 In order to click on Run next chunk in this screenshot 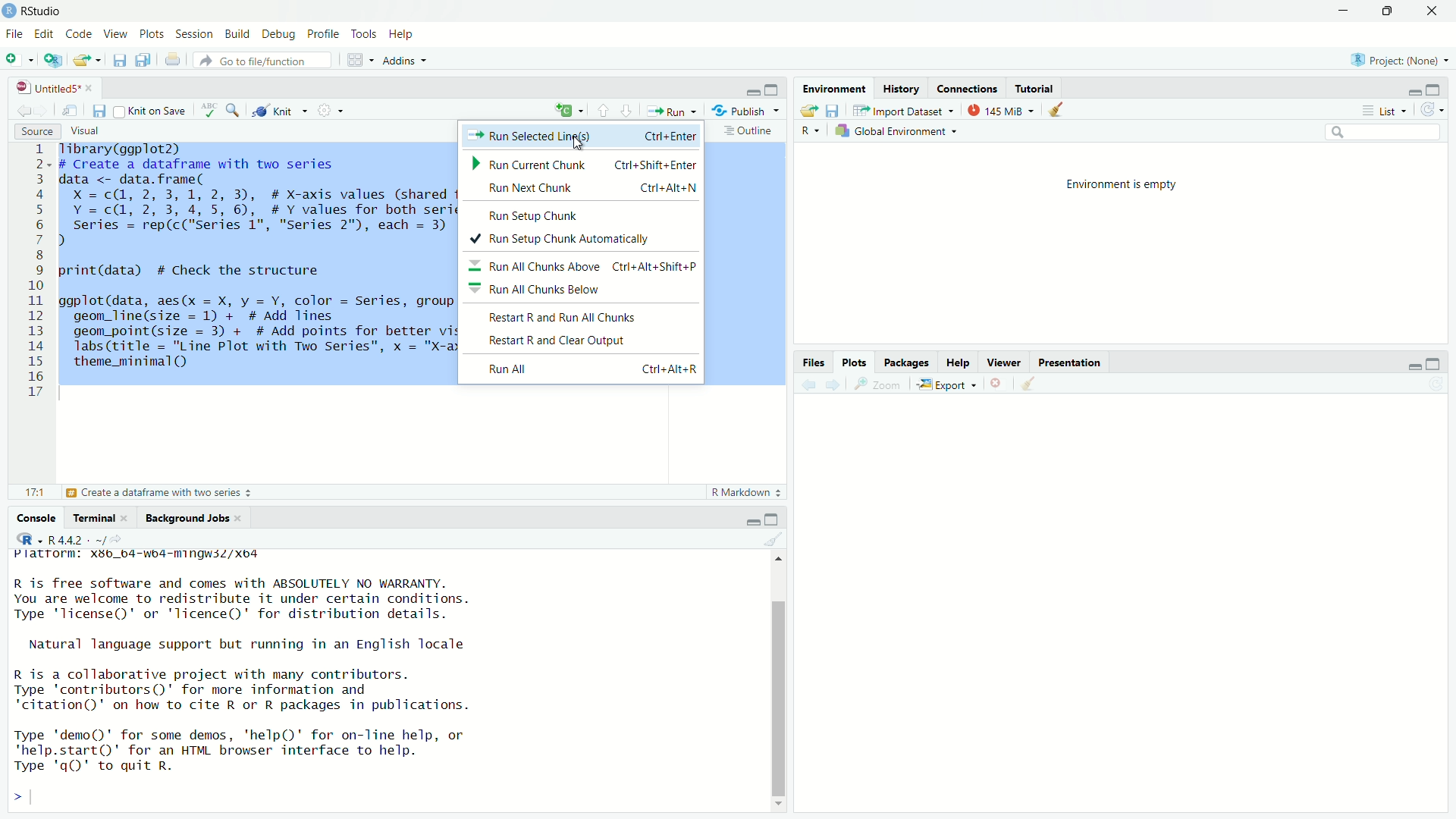, I will do `click(584, 190)`.